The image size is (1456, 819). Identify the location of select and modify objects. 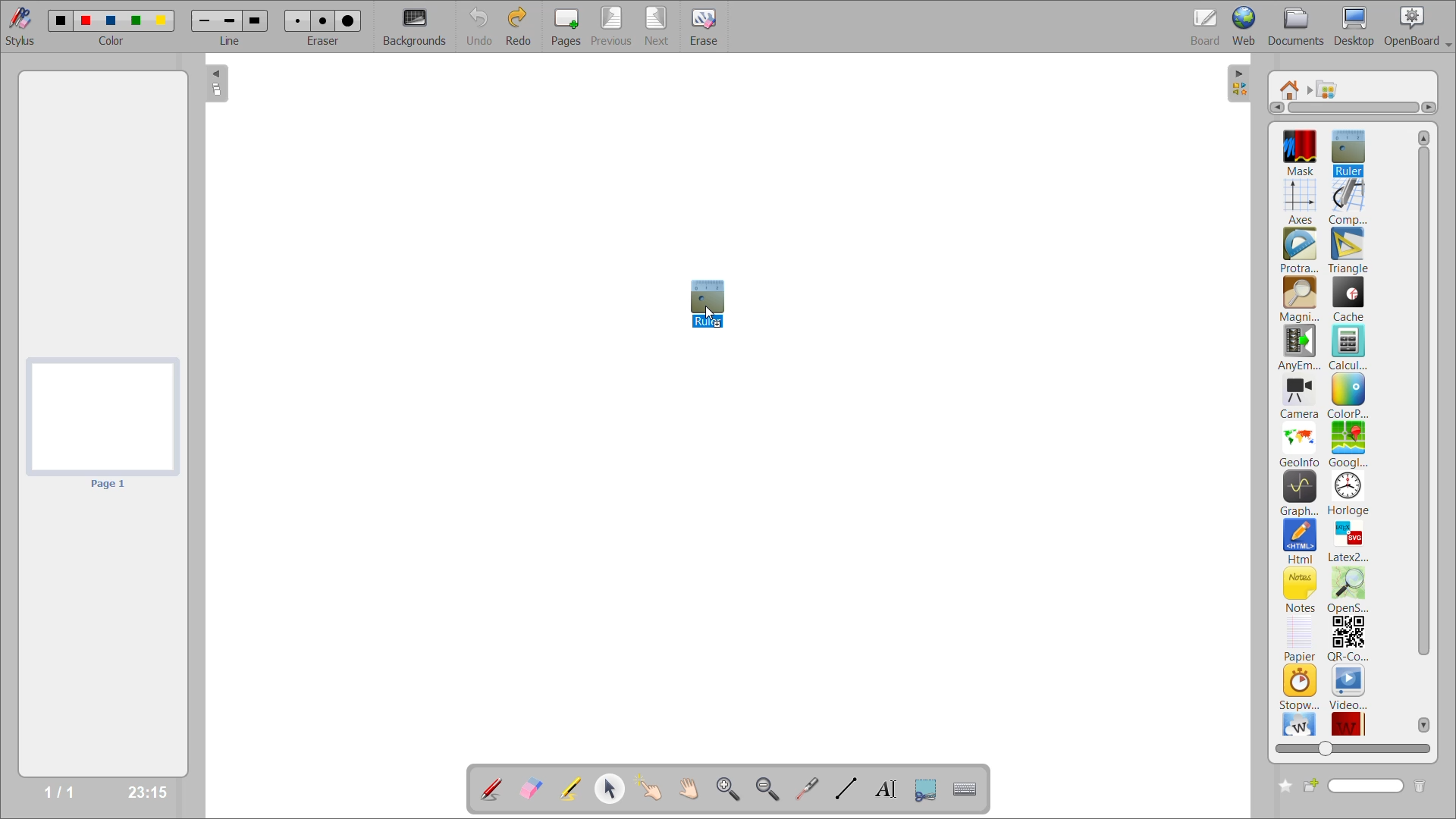
(613, 789).